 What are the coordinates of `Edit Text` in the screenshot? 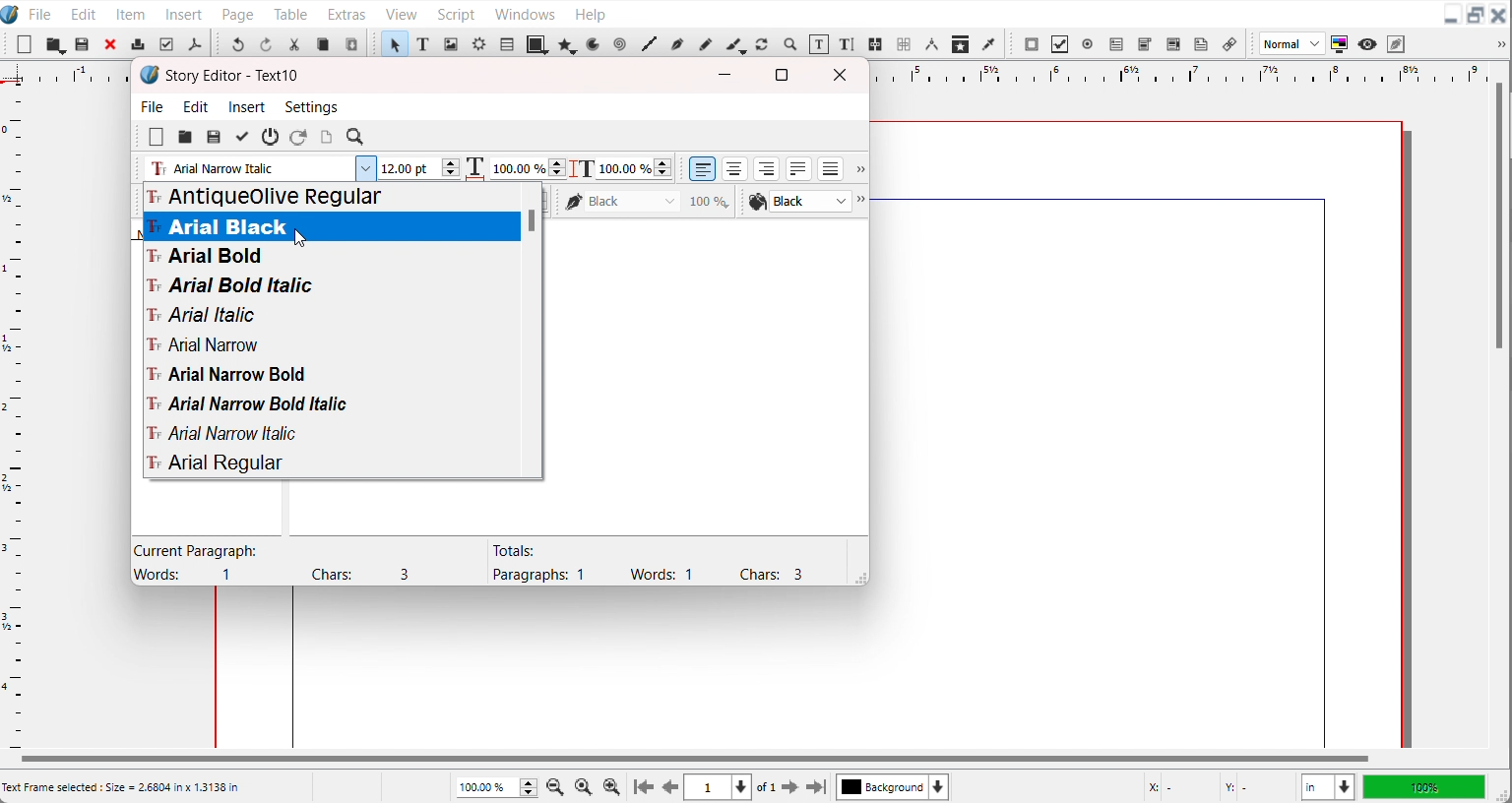 It's located at (849, 45).